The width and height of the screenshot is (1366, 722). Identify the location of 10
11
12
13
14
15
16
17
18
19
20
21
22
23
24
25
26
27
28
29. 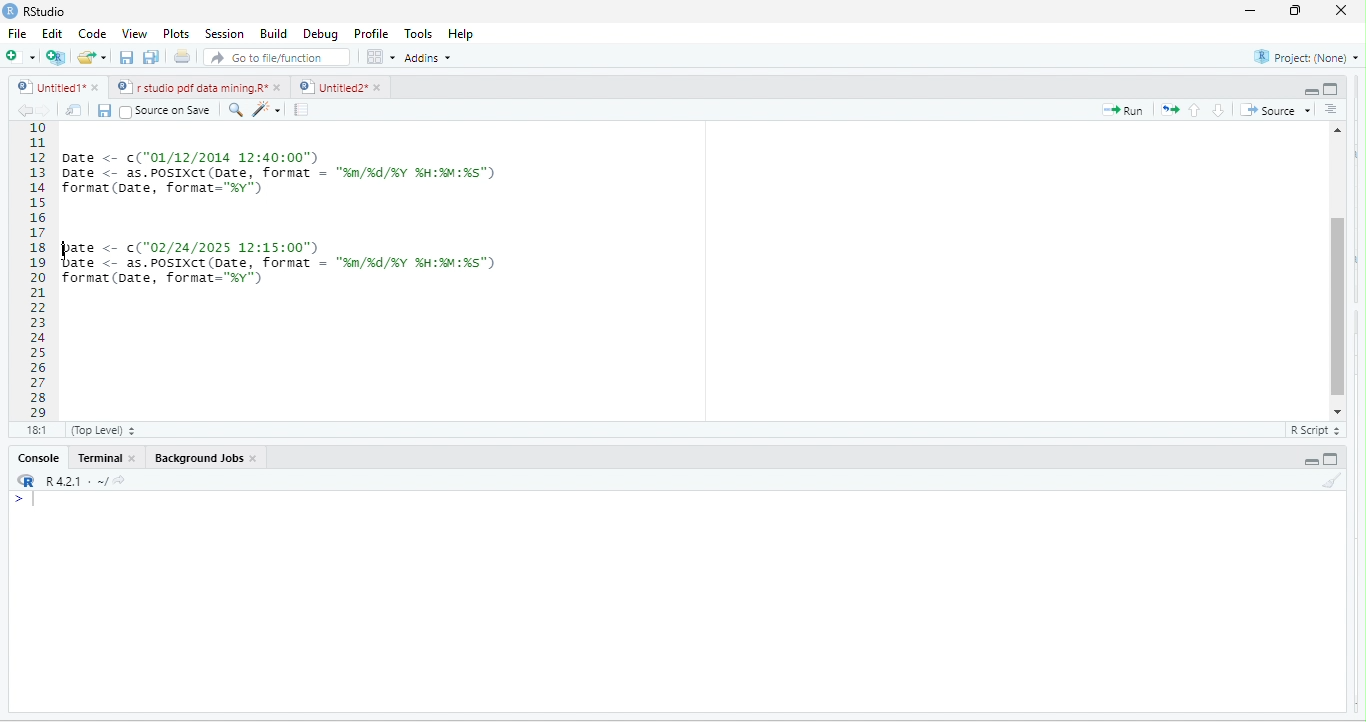
(30, 270).